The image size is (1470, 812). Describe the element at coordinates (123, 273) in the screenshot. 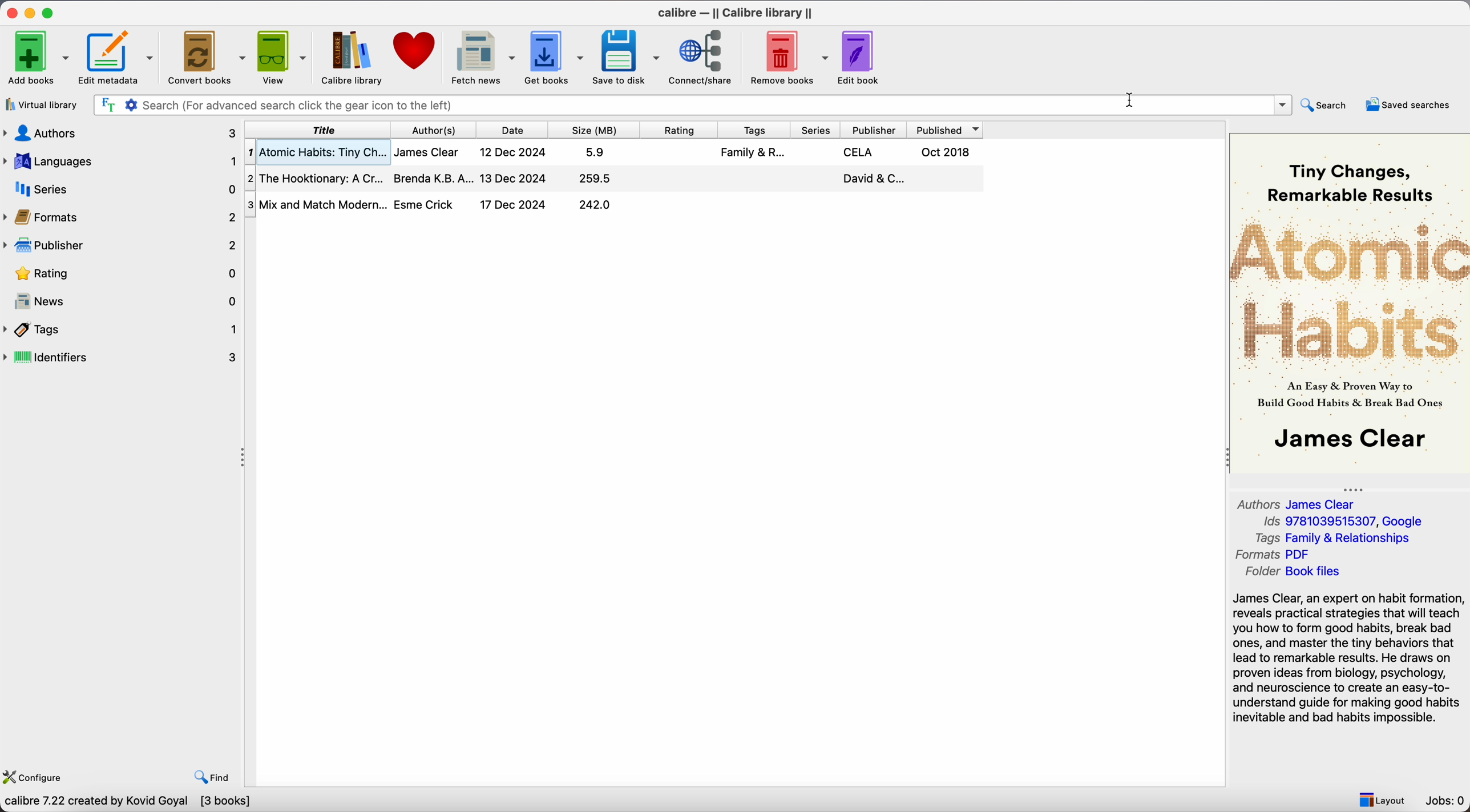

I see `rating` at that location.